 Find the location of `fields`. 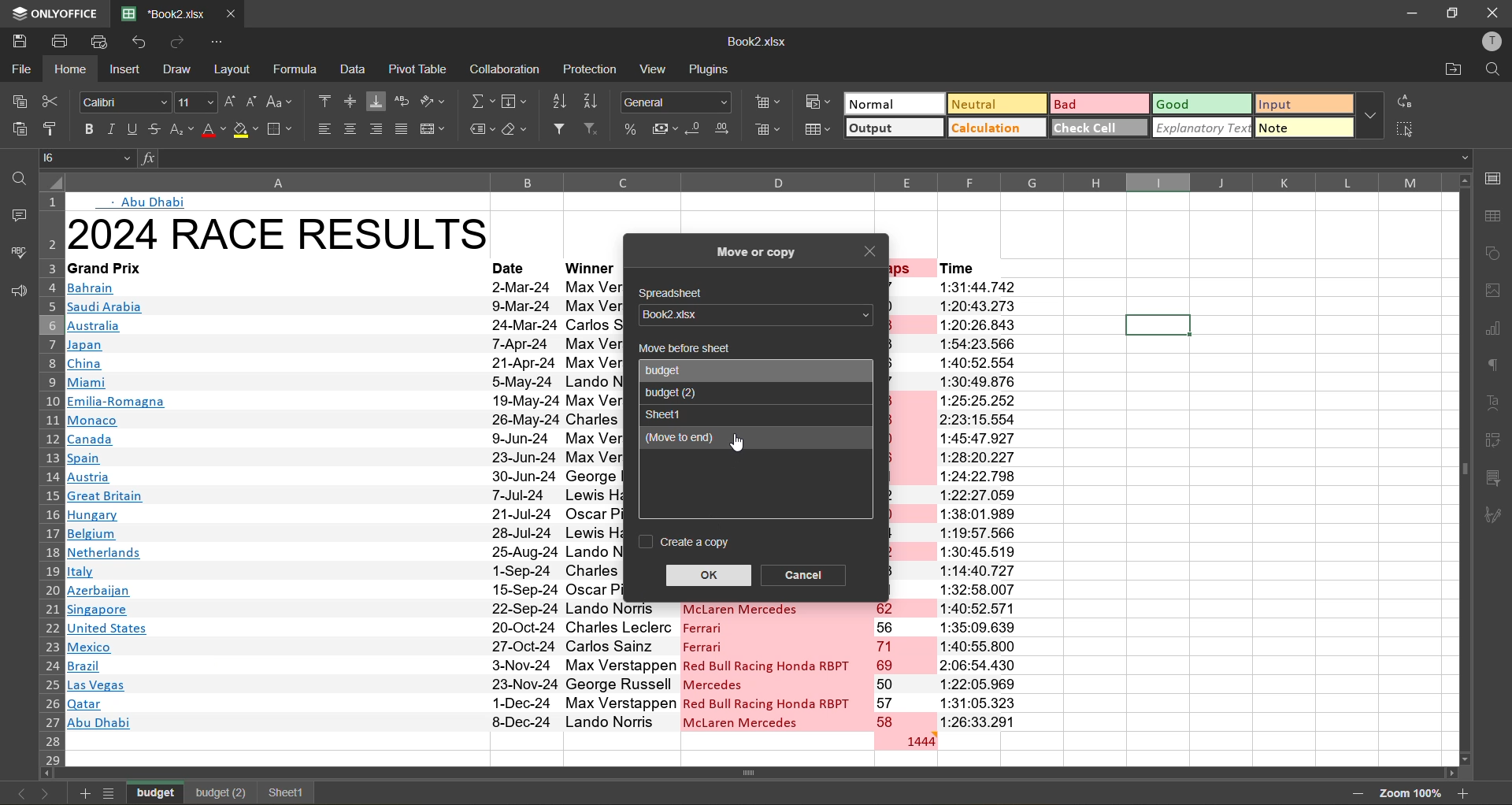

fields is located at coordinates (515, 102).